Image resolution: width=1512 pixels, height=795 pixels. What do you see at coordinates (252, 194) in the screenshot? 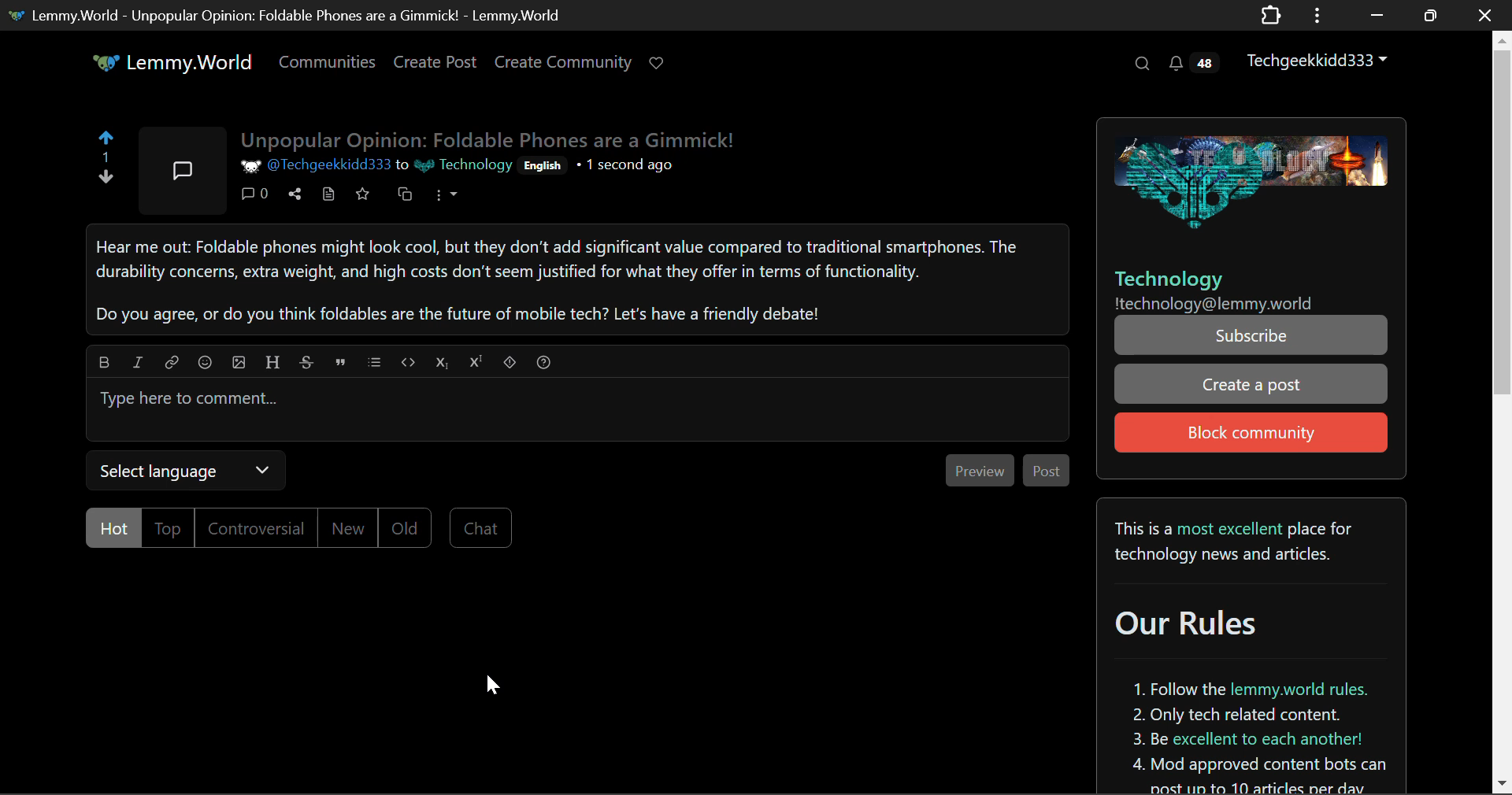
I see `Comment Counter` at bounding box center [252, 194].